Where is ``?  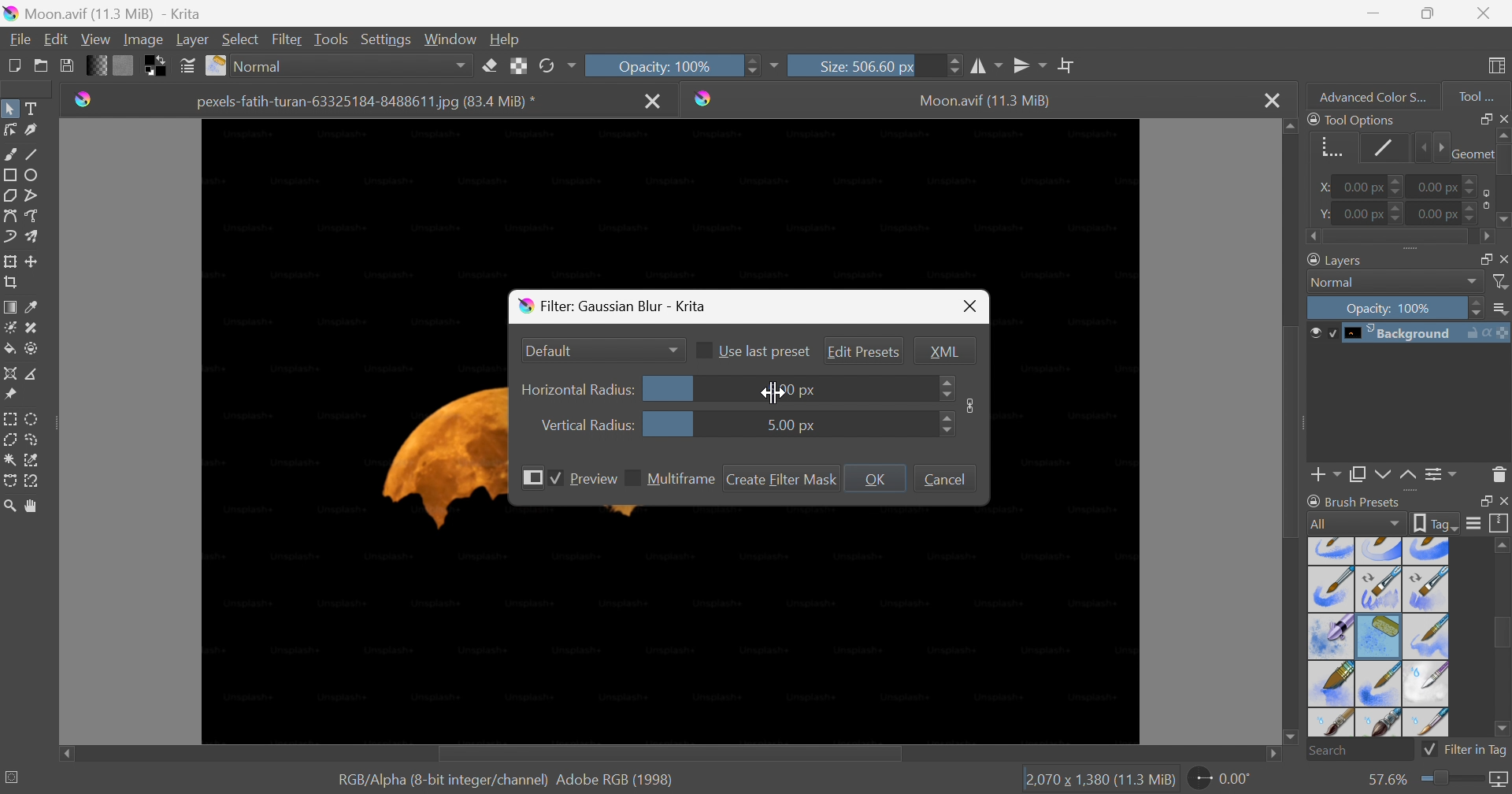
 is located at coordinates (1351, 121).